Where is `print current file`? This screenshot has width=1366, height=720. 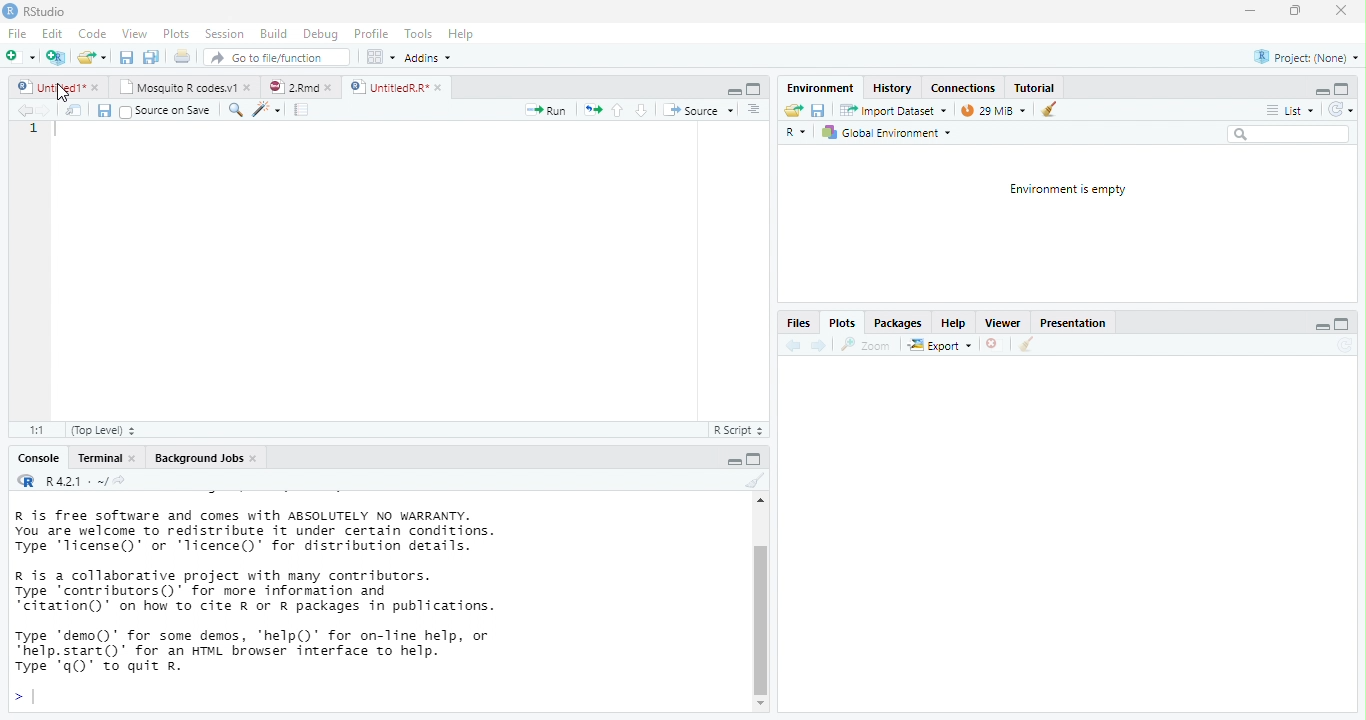
print current file is located at coordinates (183, 56).